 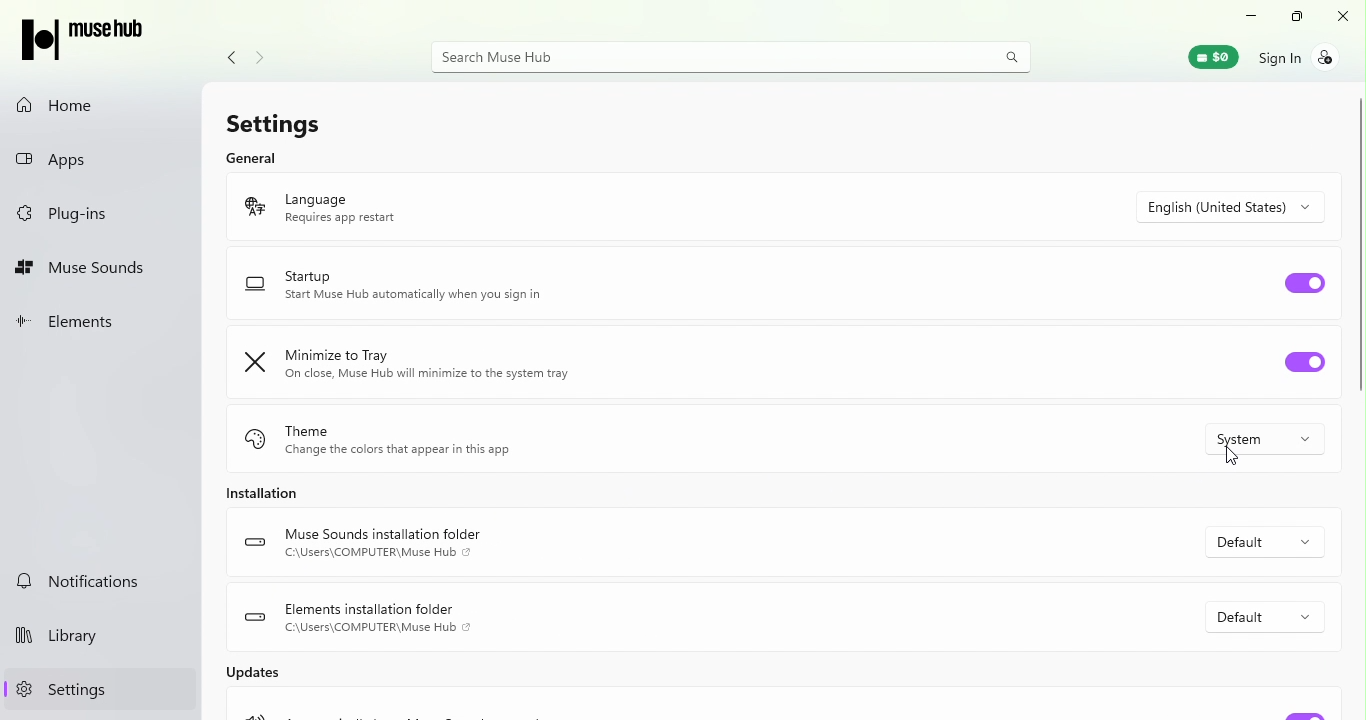 I want to click on Muse sounds, so click(x=88, y=272).